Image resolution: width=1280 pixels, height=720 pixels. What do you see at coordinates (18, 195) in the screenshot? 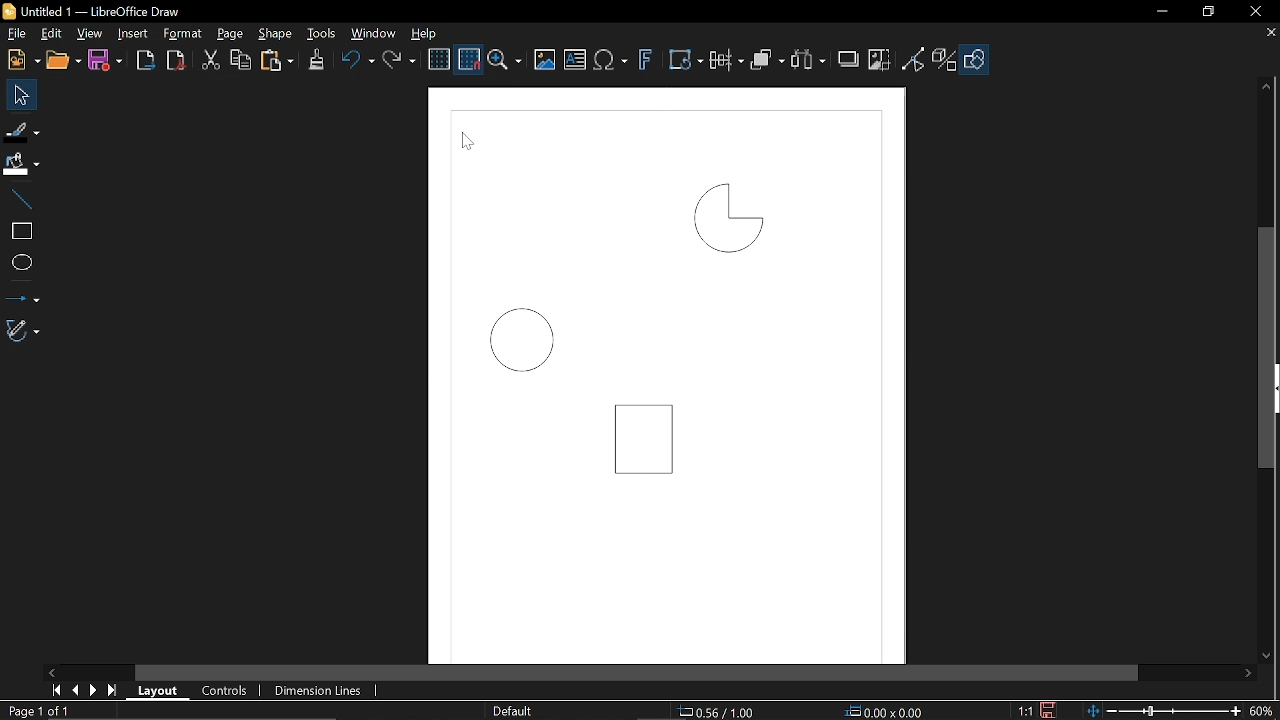
I see `Line` at bounding box center [18, 195].